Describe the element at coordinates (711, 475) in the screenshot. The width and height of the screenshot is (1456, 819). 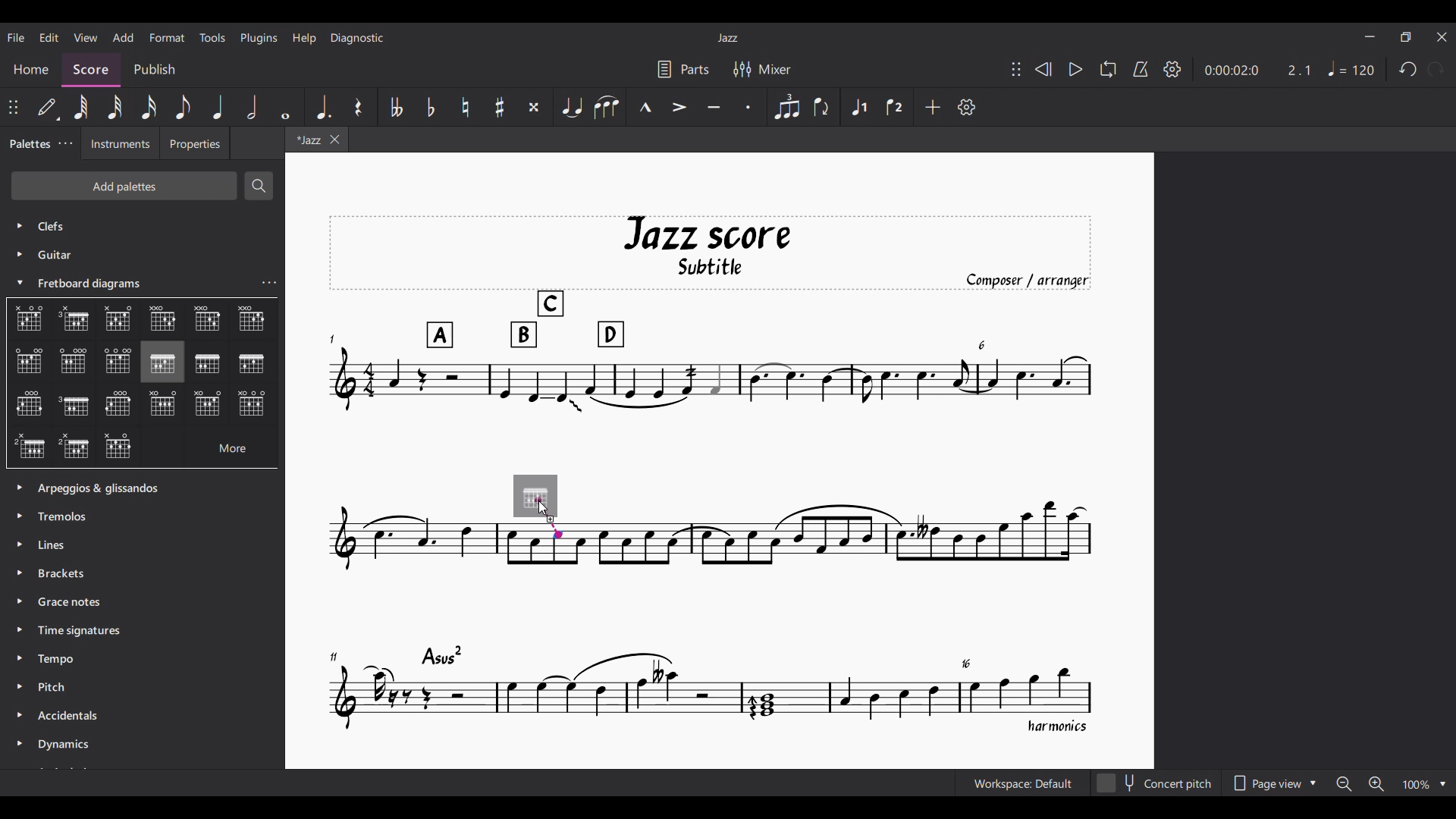
I see `Current score` at that location.